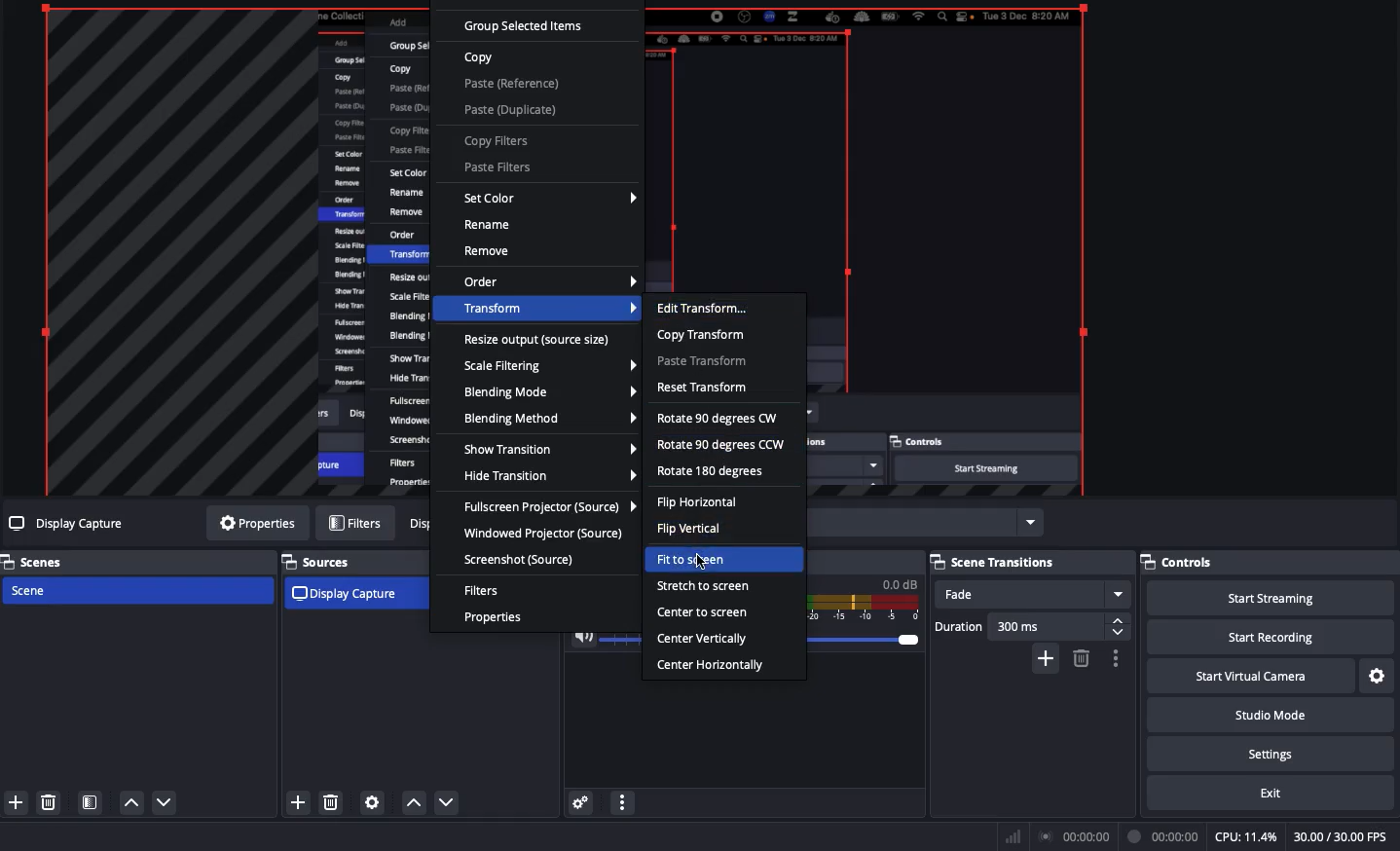 The image size is (1400, 851). Describe the element at coordinates (717, 667) in the screenshot. I see `Center horizontally` at that location.